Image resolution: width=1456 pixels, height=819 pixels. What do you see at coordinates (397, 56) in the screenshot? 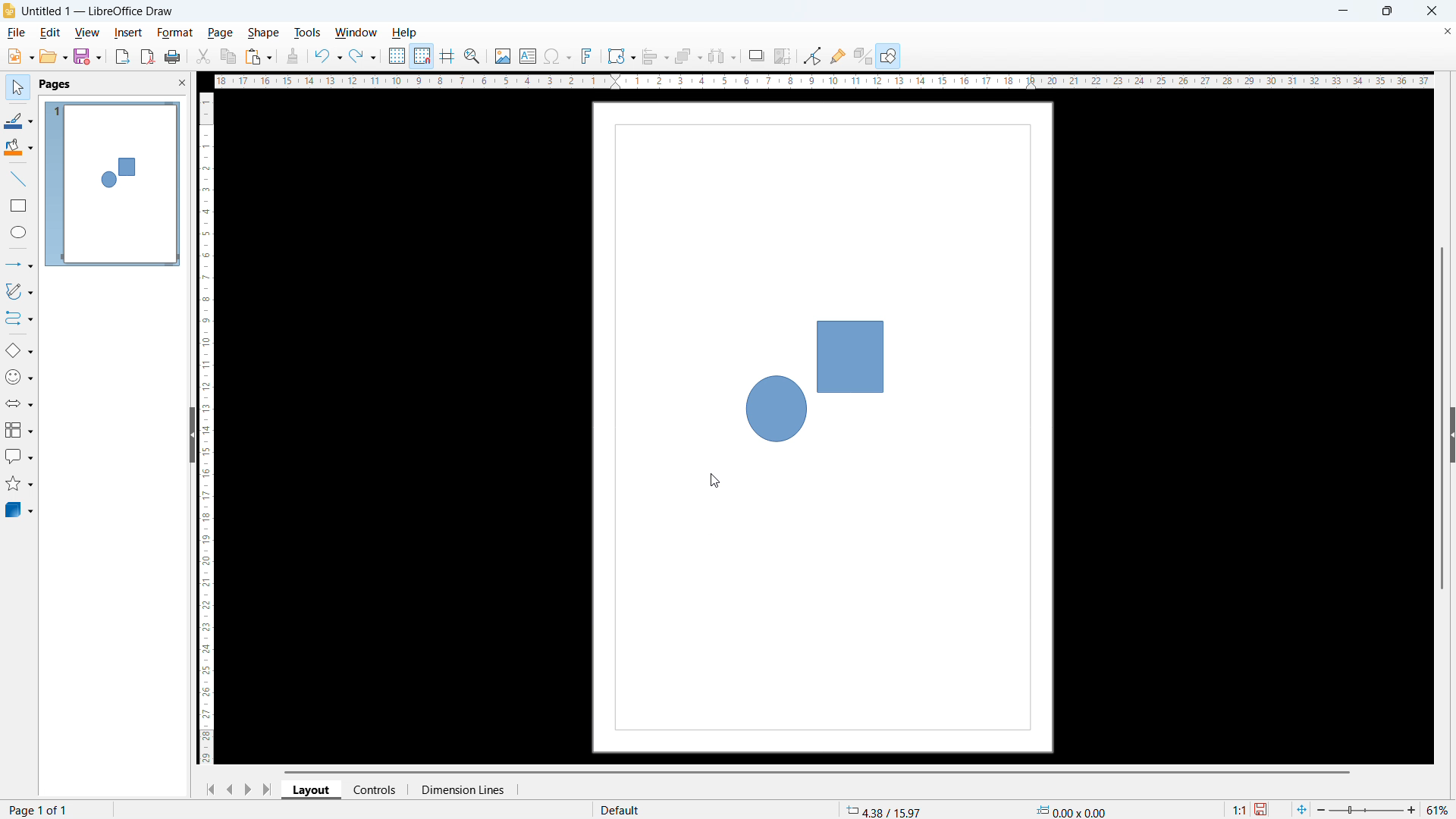
I see `show grid` at bounding box center [397, 56].